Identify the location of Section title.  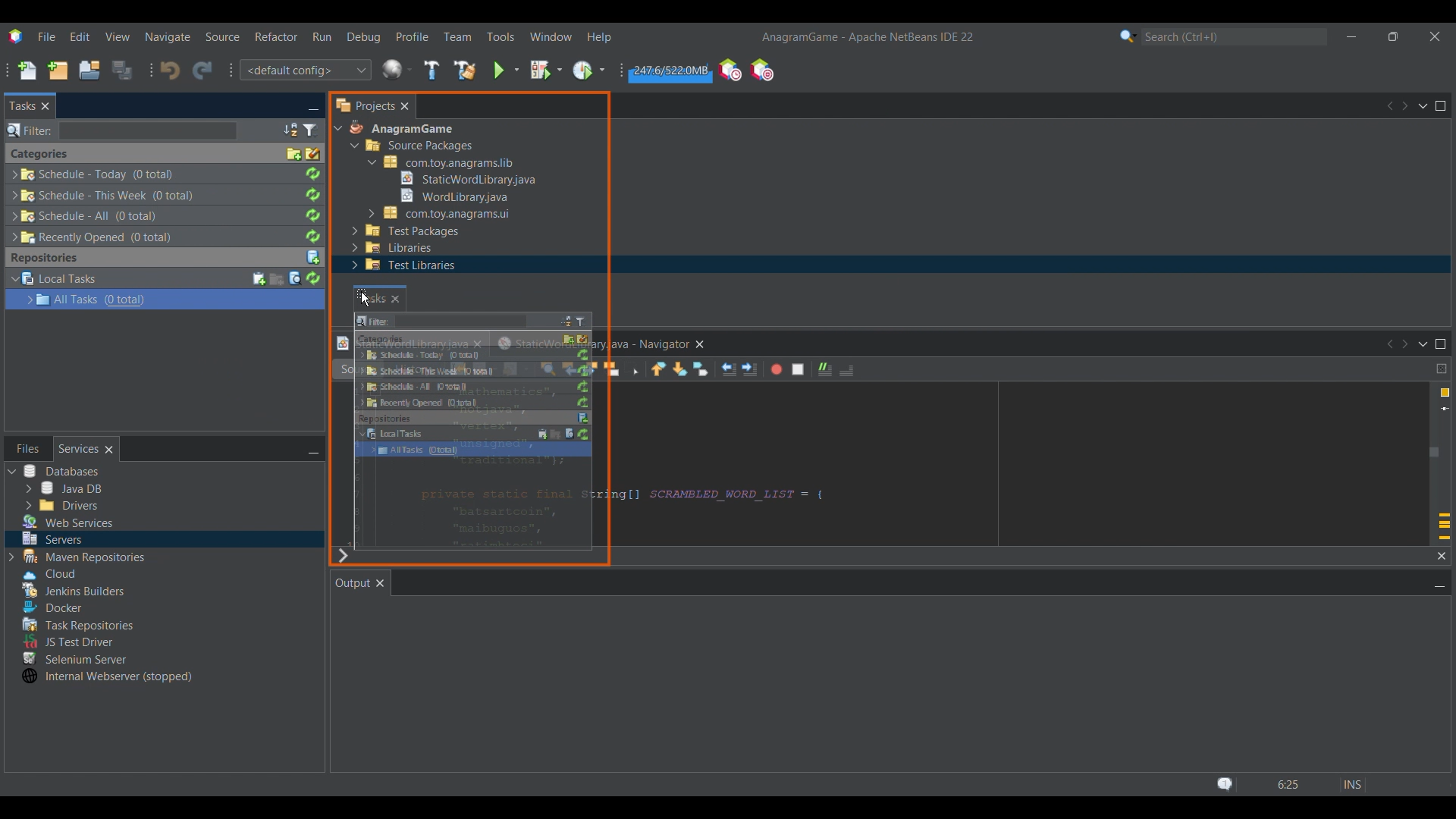
(44, 258).